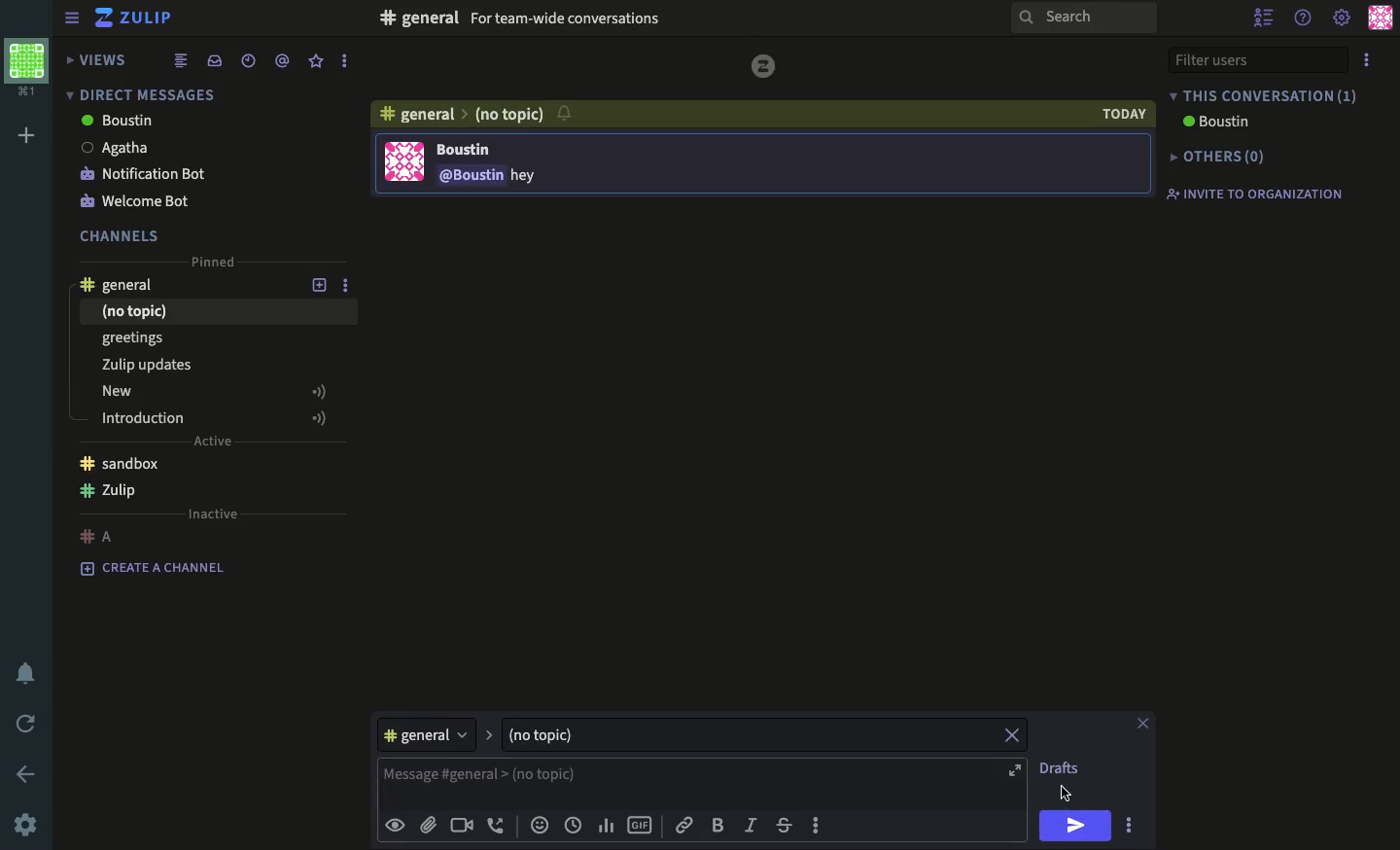 This screenshot has height=850, width=1400. What do you see at coordinates (1251, 192) in the screenshot?
I see `invite to organization` at bounding box center [1251, 192].